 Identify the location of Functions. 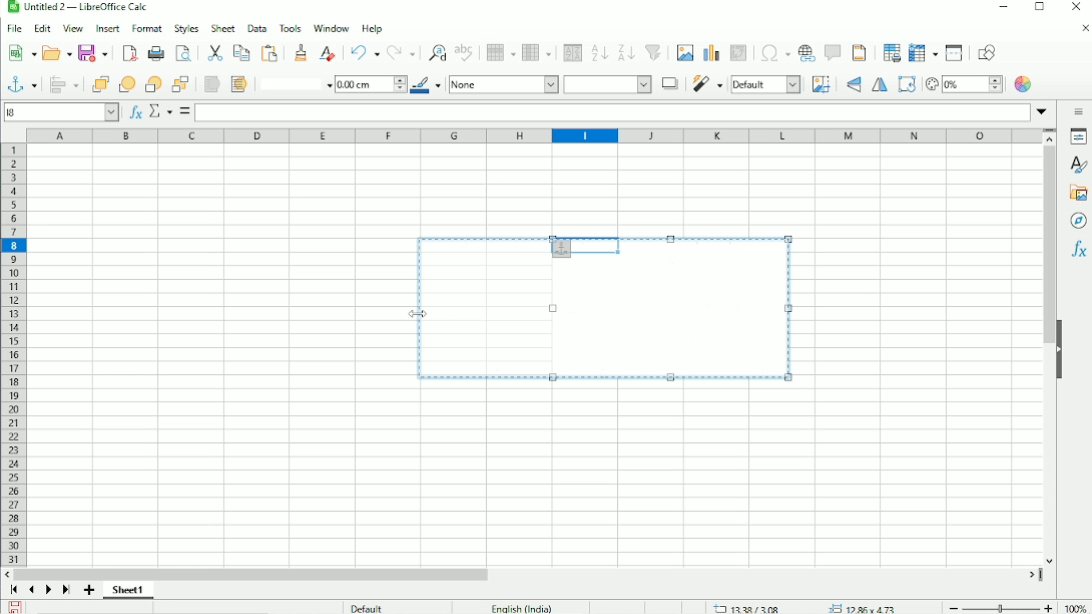
(1078, 251).